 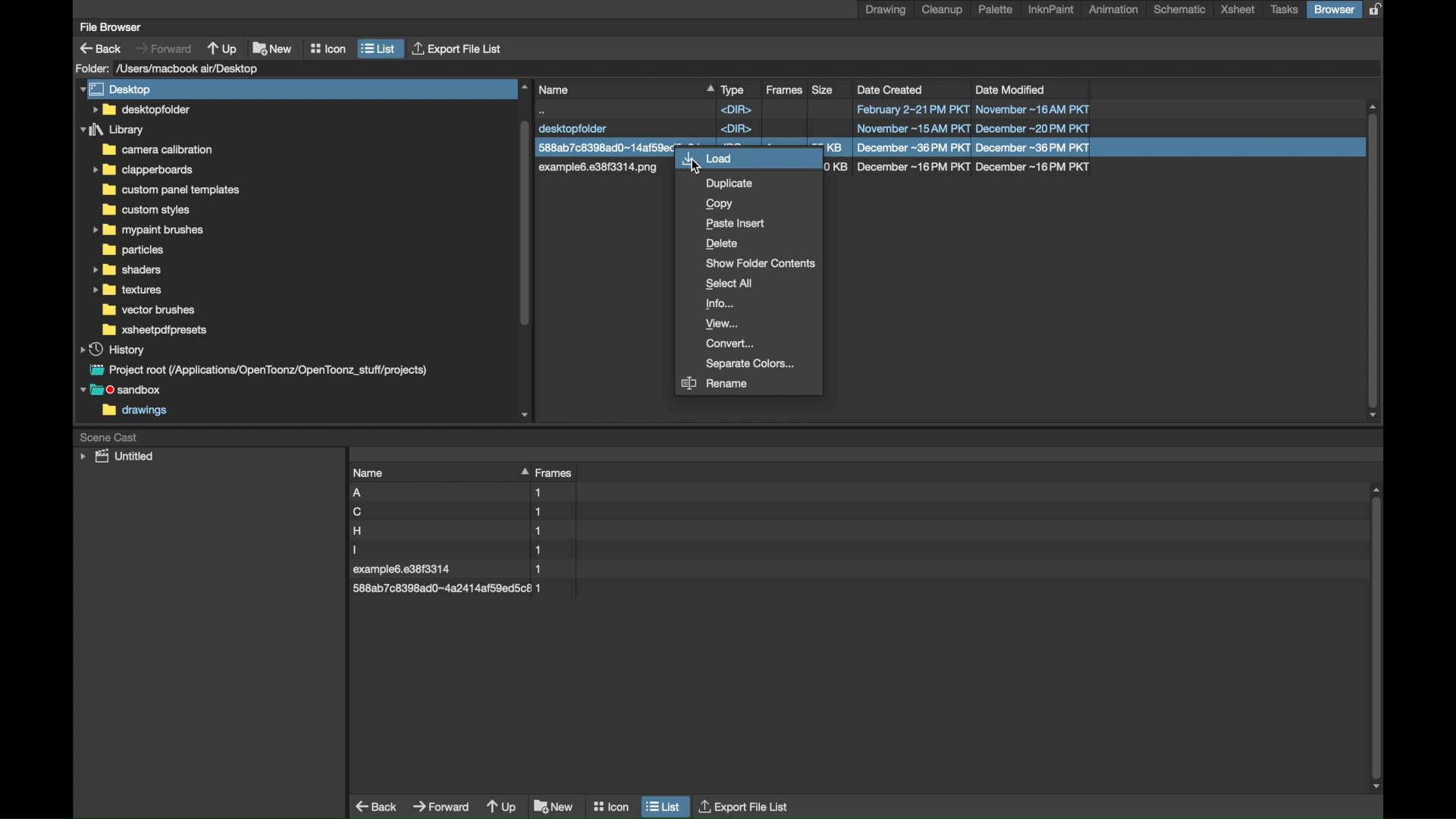 I want to click on export file list, so click(x=745, y=805).